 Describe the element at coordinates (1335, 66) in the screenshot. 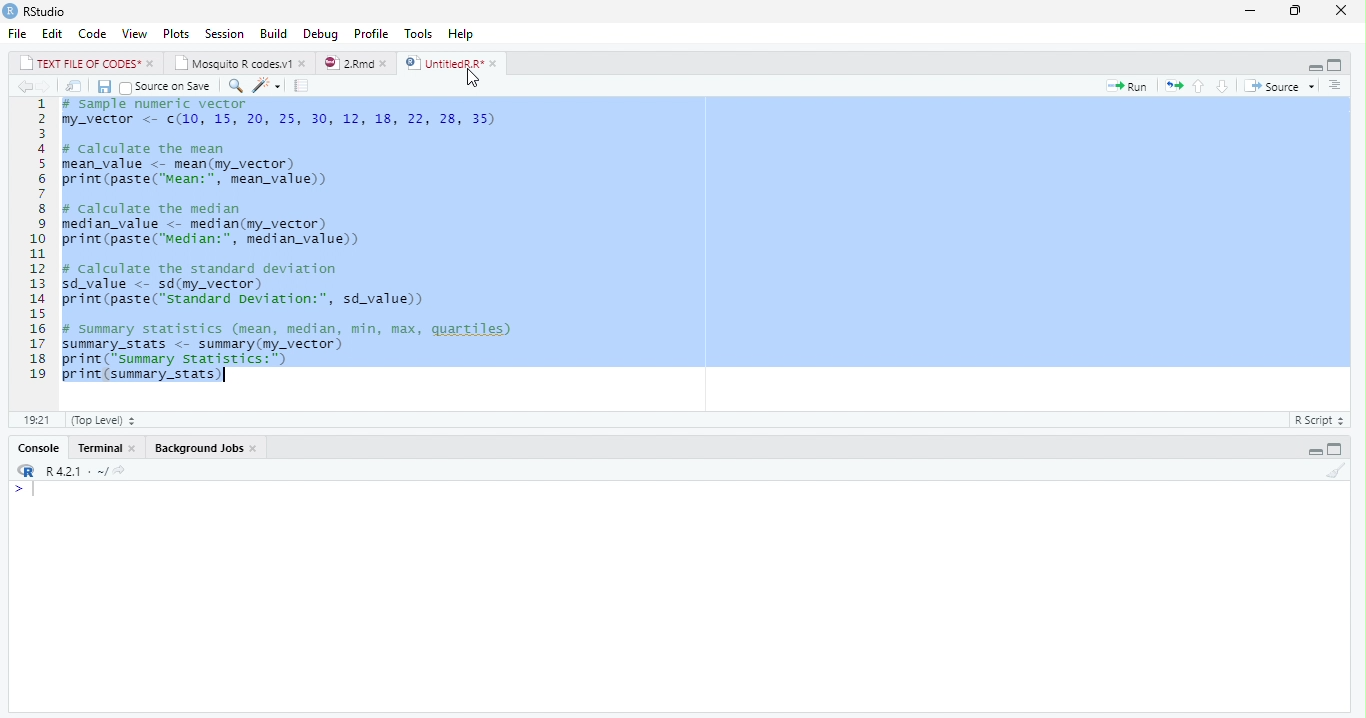

I see `maximize` at that location.